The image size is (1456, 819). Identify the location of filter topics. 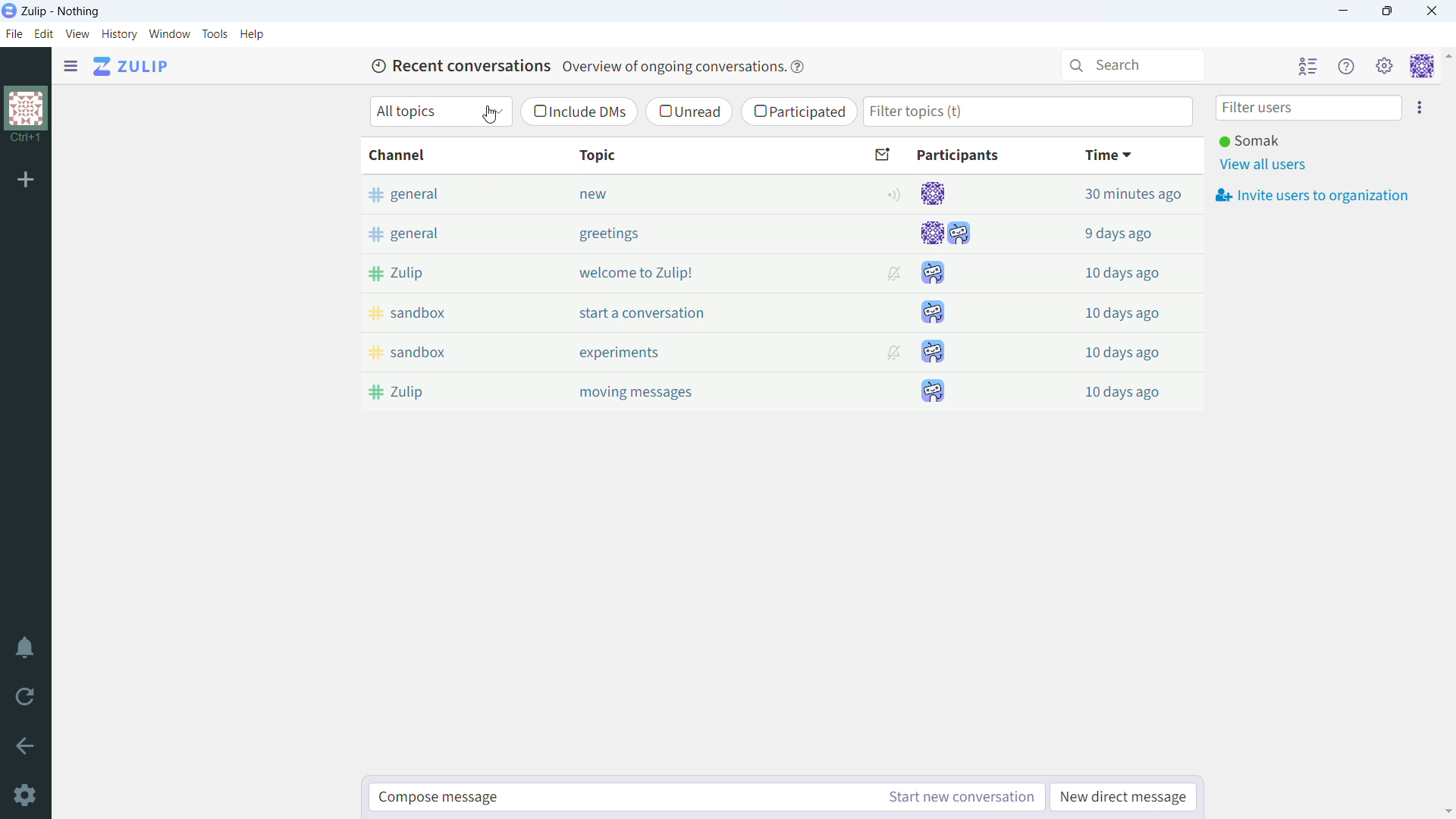
(1028, 111).